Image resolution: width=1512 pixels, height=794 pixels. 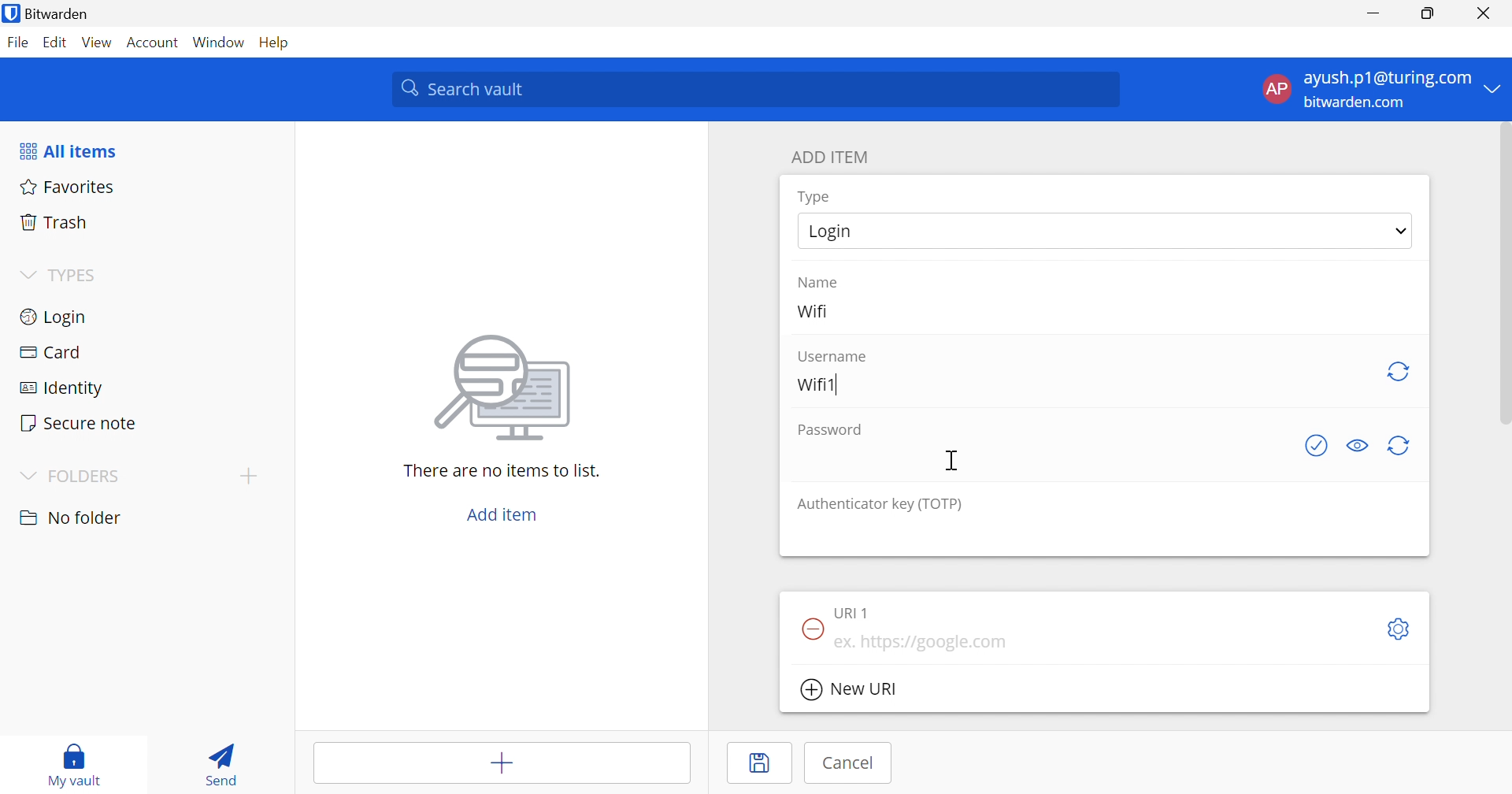 I want to click on View, so click(x=96, y=42).